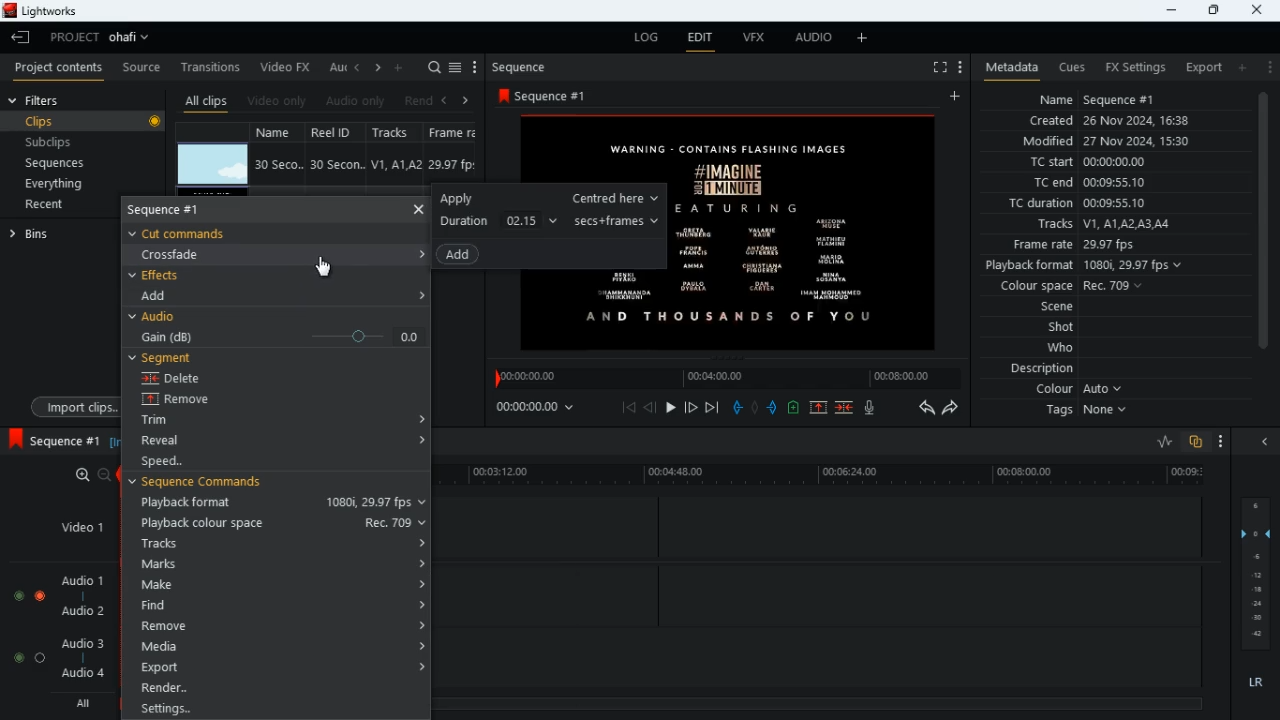 This screenshot has width=1280, height=720. What do you see at coordinates (544, 406) in the screenshot?
I see `time` at bounding box center [544, 406].